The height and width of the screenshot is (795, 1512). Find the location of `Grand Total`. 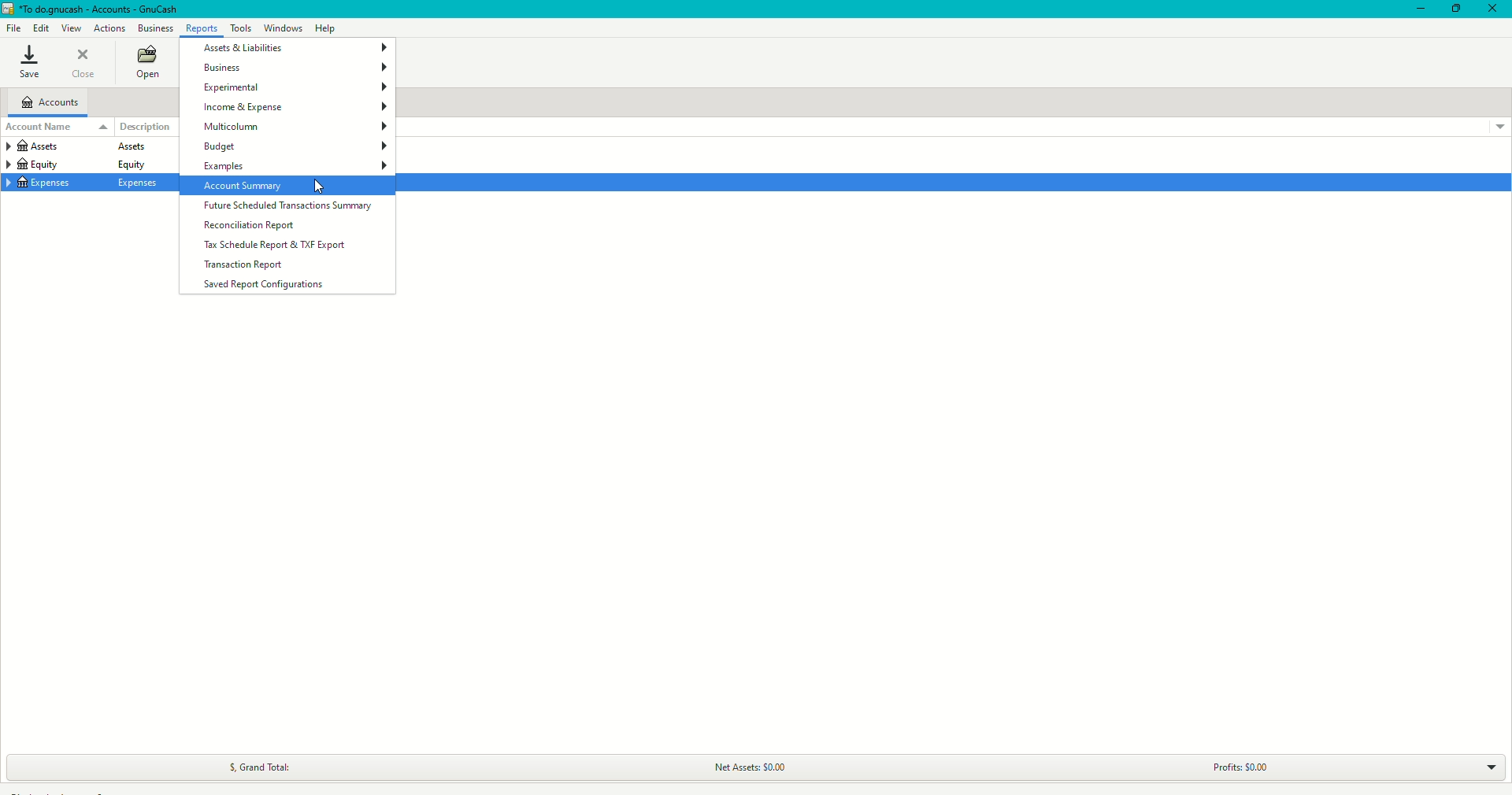

Grand Total is located at coordinates (262, 766).